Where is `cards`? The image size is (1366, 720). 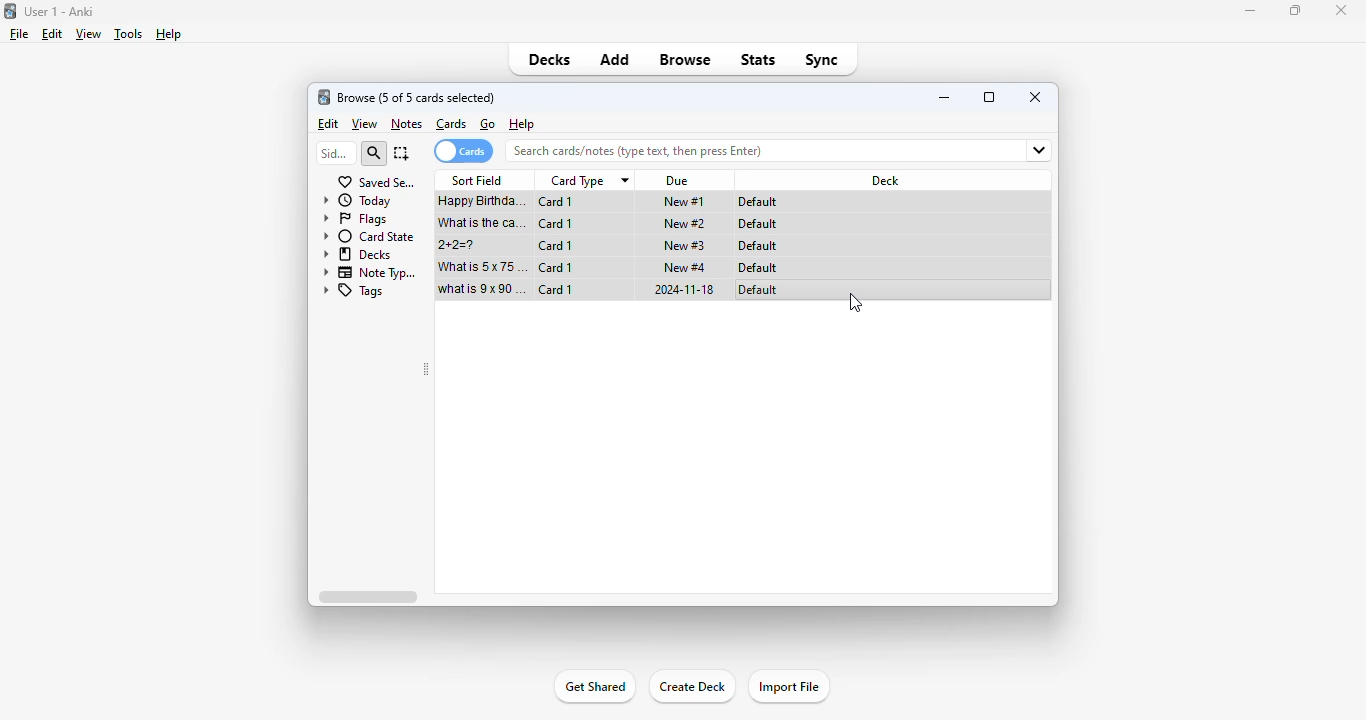
cards is located at coordinates (463, 151).